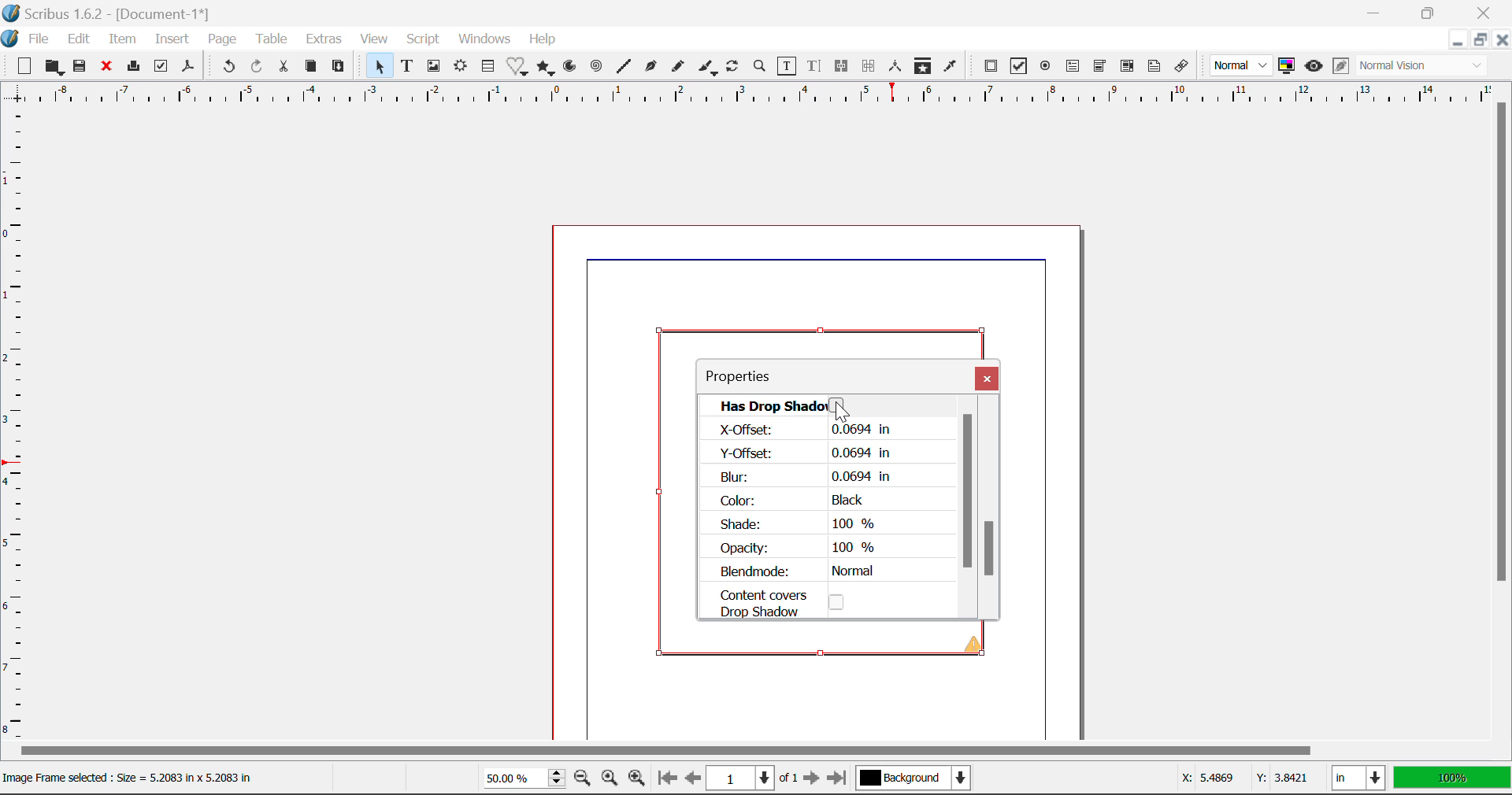 The height and width of the screenshot is (795, 1512). Describe the element at coordinates (1074, 68) in the screenshot. I see `Pdf Text Field` at that location.